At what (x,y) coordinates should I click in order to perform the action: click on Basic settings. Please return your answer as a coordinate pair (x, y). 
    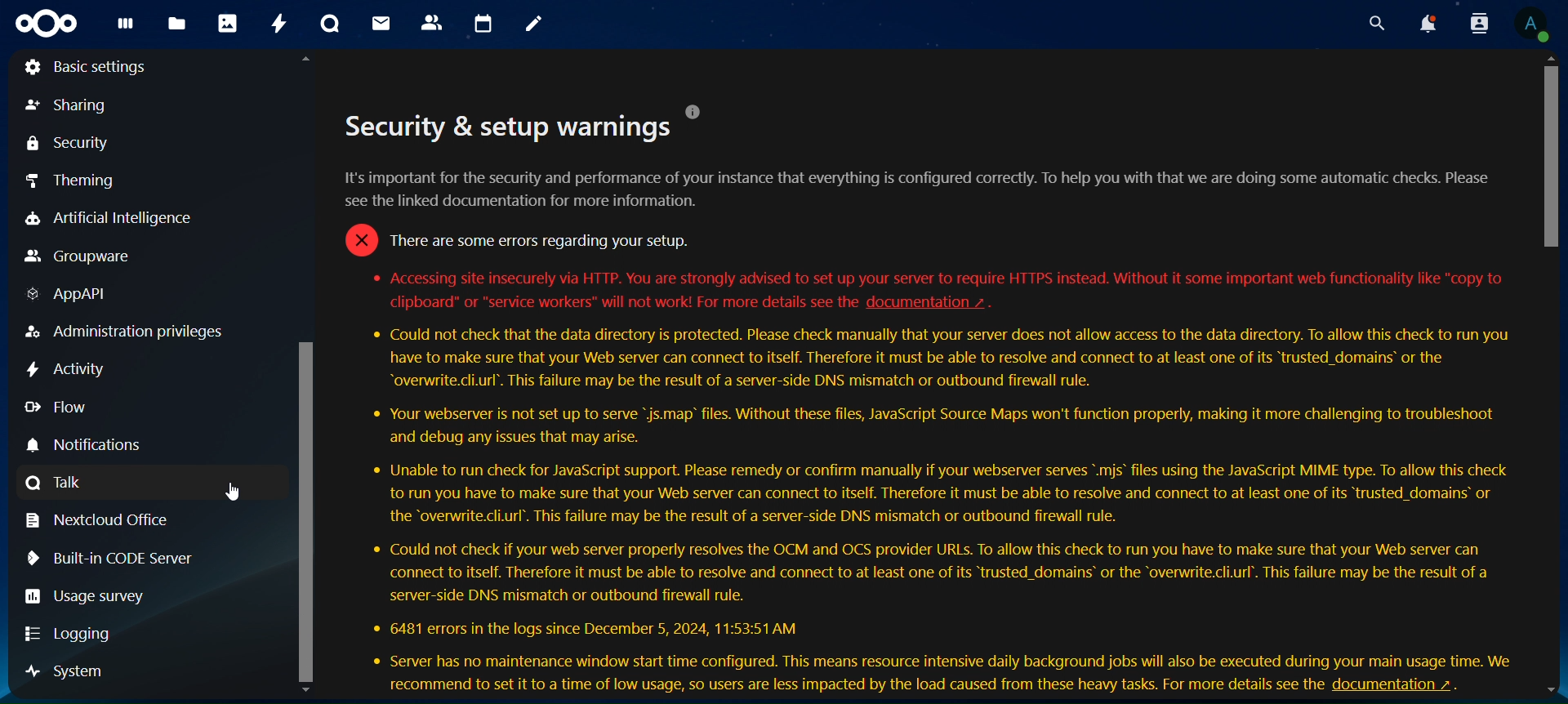
    Looking at the image, I should click on (92, 68).